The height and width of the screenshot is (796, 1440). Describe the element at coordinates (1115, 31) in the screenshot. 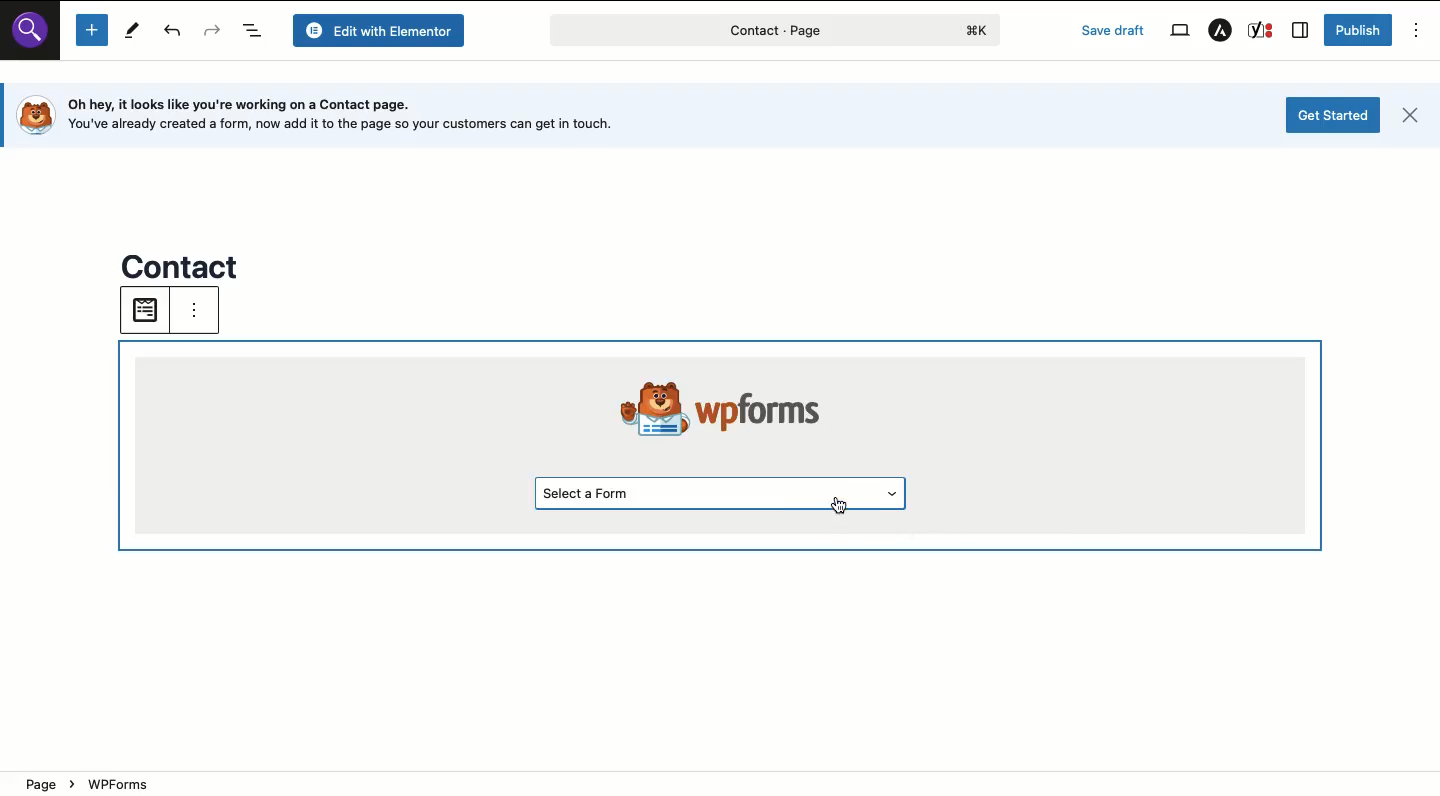

I see `Save draft` at that location.